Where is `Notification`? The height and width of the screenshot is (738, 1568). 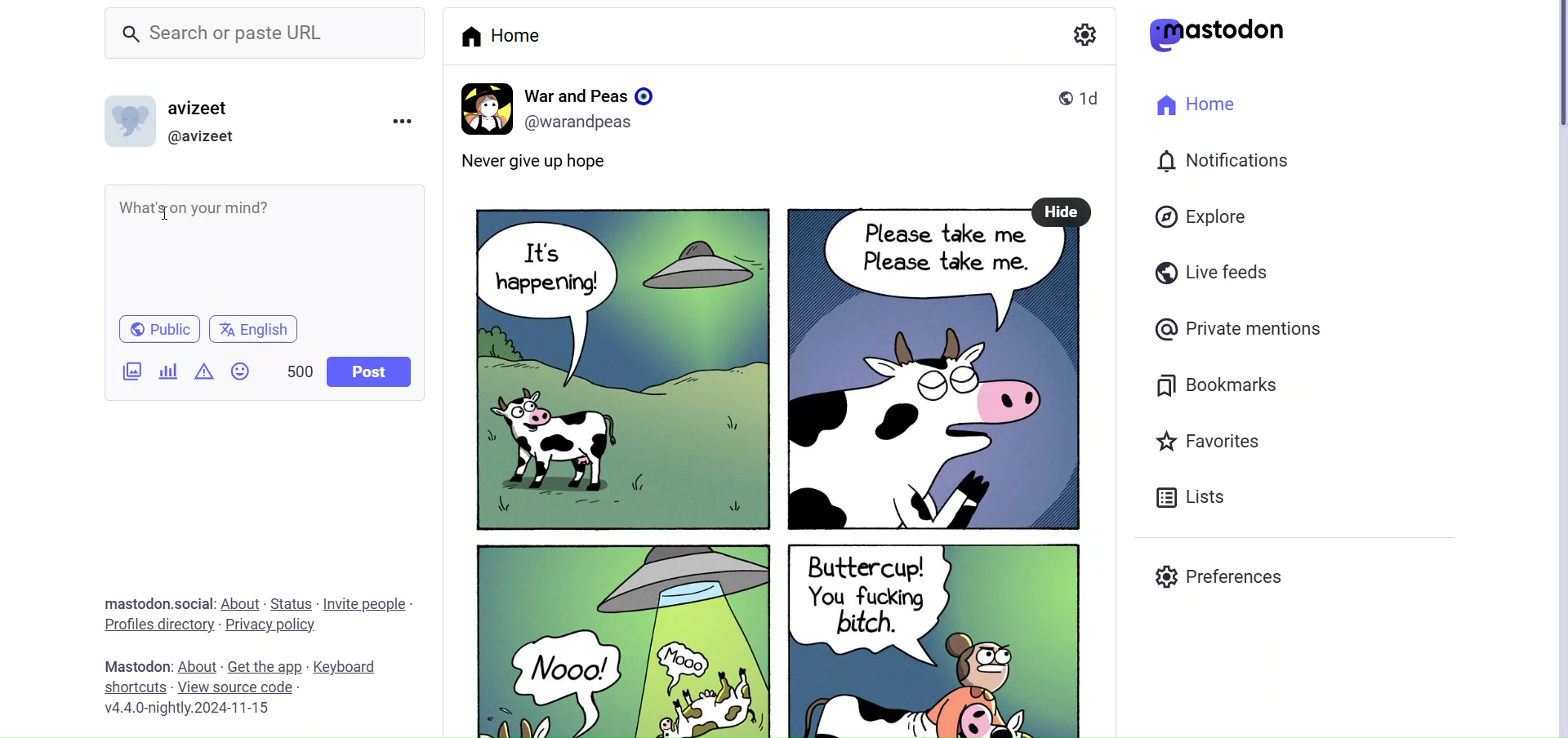 Notification is located at coordinates (1225, 158).